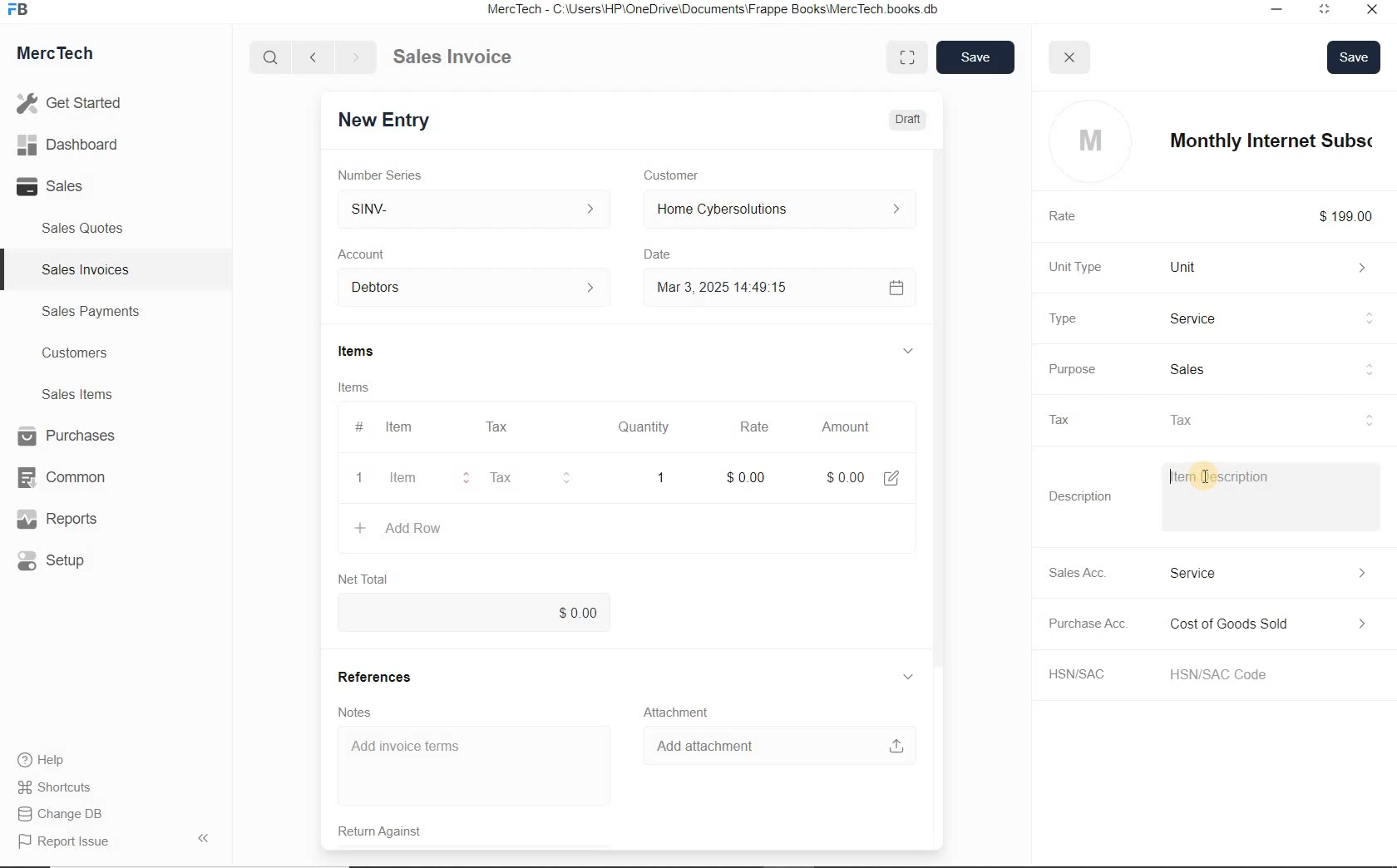 This screenshot has width=1397, height=868. Describe the element at coordinates (753, 427) in the screenshot. I see `Rate` at that location.